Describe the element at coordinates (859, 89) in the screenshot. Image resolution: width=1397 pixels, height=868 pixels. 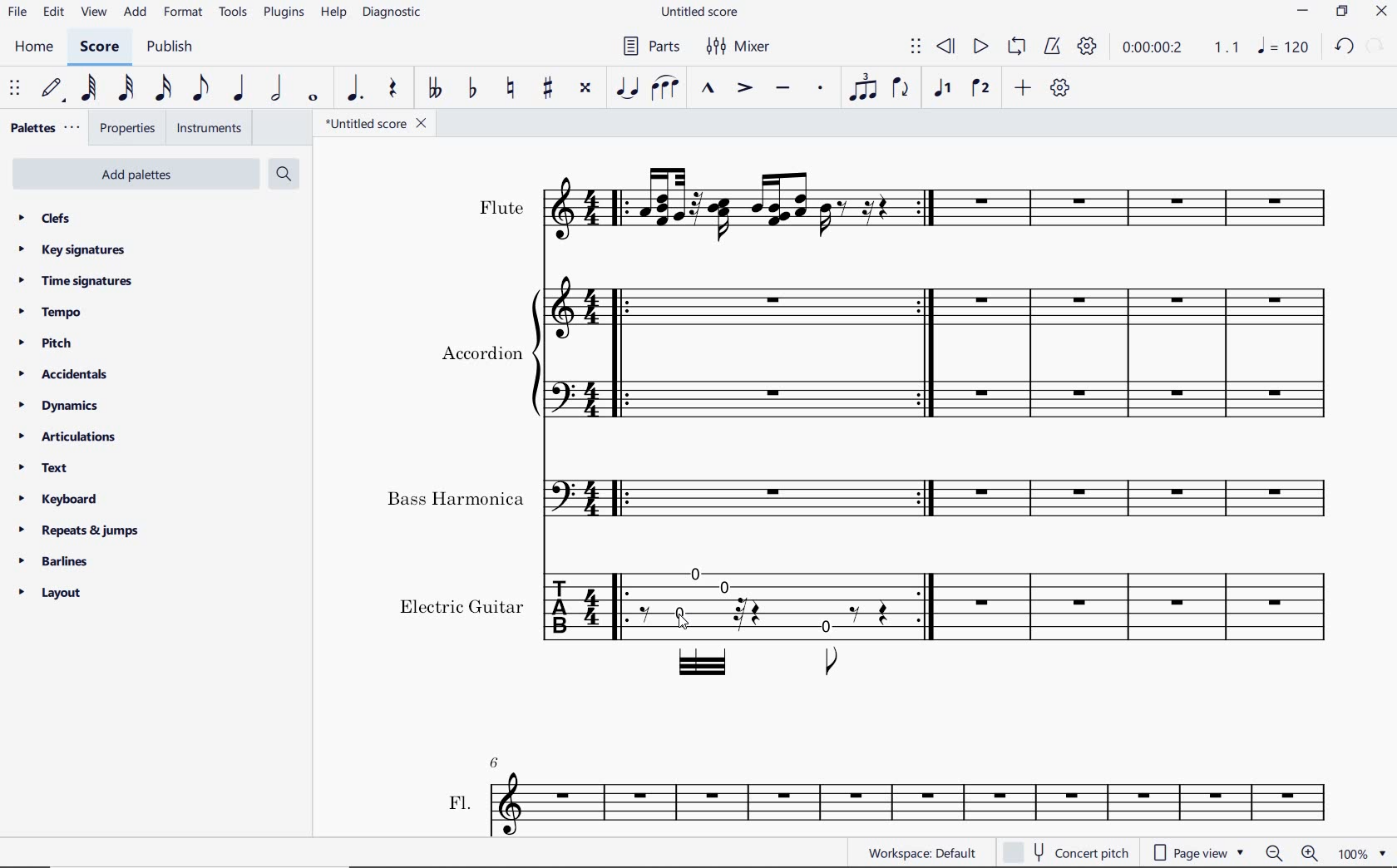
I see `tuplet` at that location.